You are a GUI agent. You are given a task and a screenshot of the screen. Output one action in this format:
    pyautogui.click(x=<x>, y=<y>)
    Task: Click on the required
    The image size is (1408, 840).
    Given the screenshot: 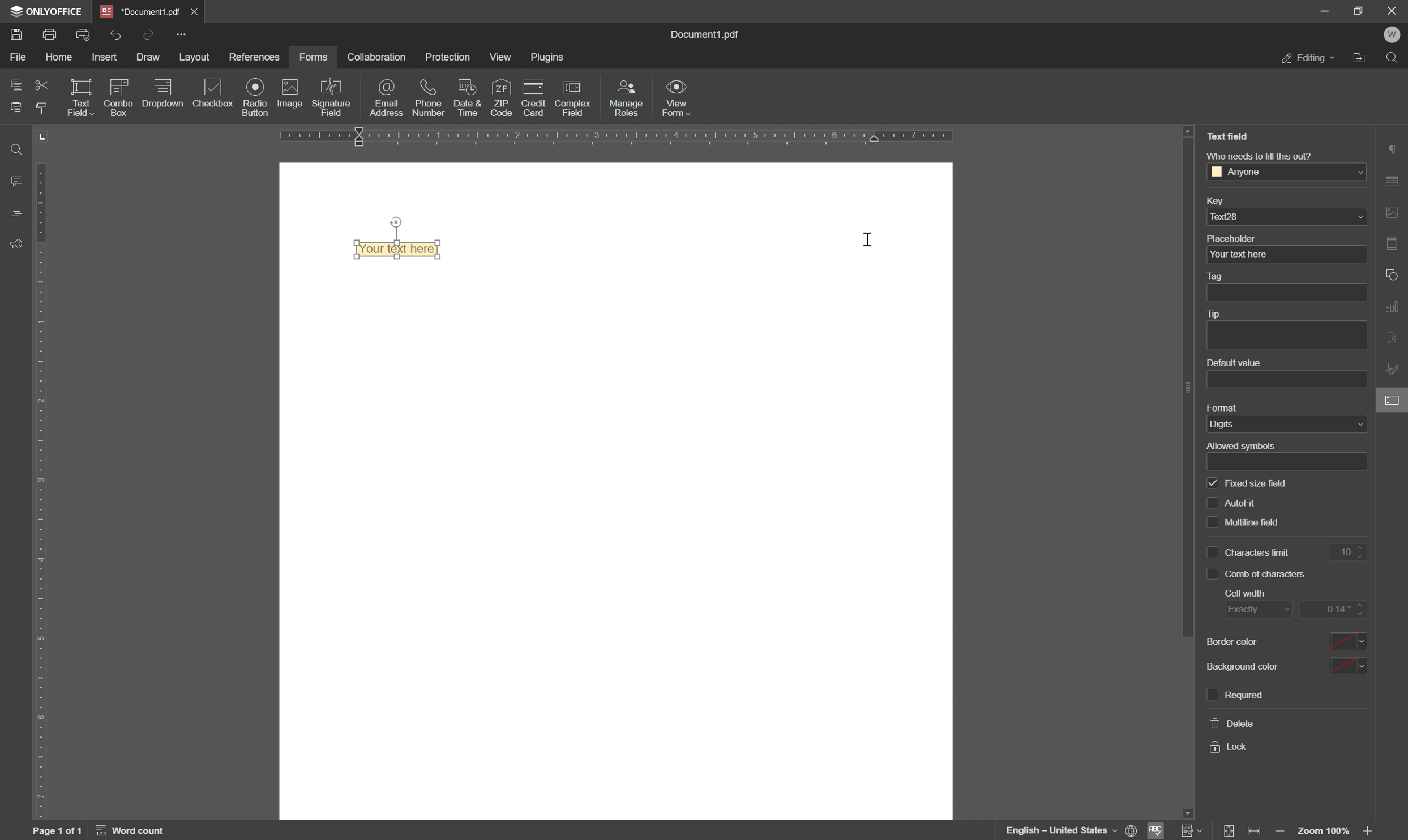 What is the action you would take?
    pyautogui.click(x=1236, y=695)
    